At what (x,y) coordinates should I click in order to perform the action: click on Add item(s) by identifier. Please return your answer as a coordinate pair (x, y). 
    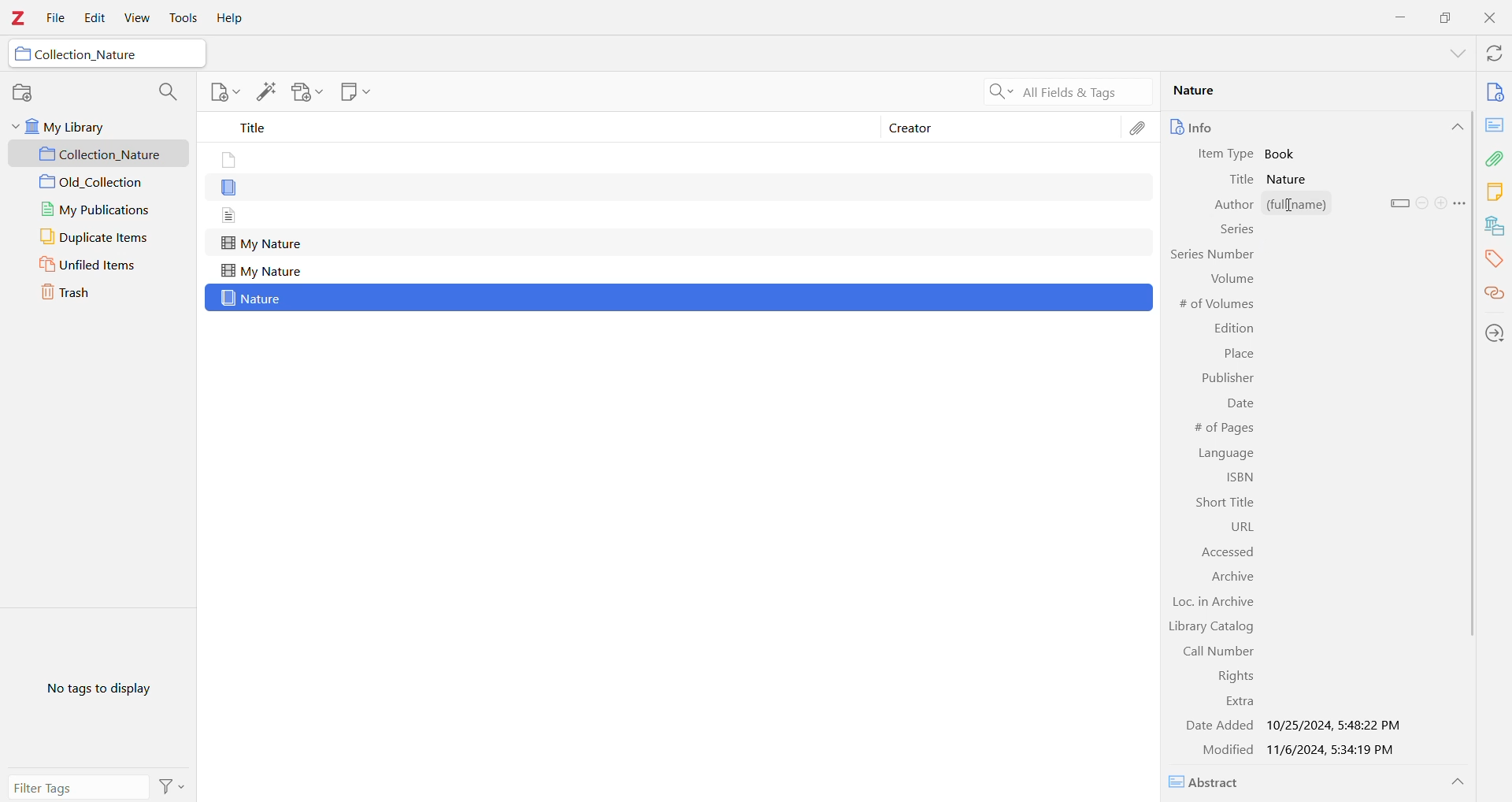
    Looking at the image, I should click on (265, 92).